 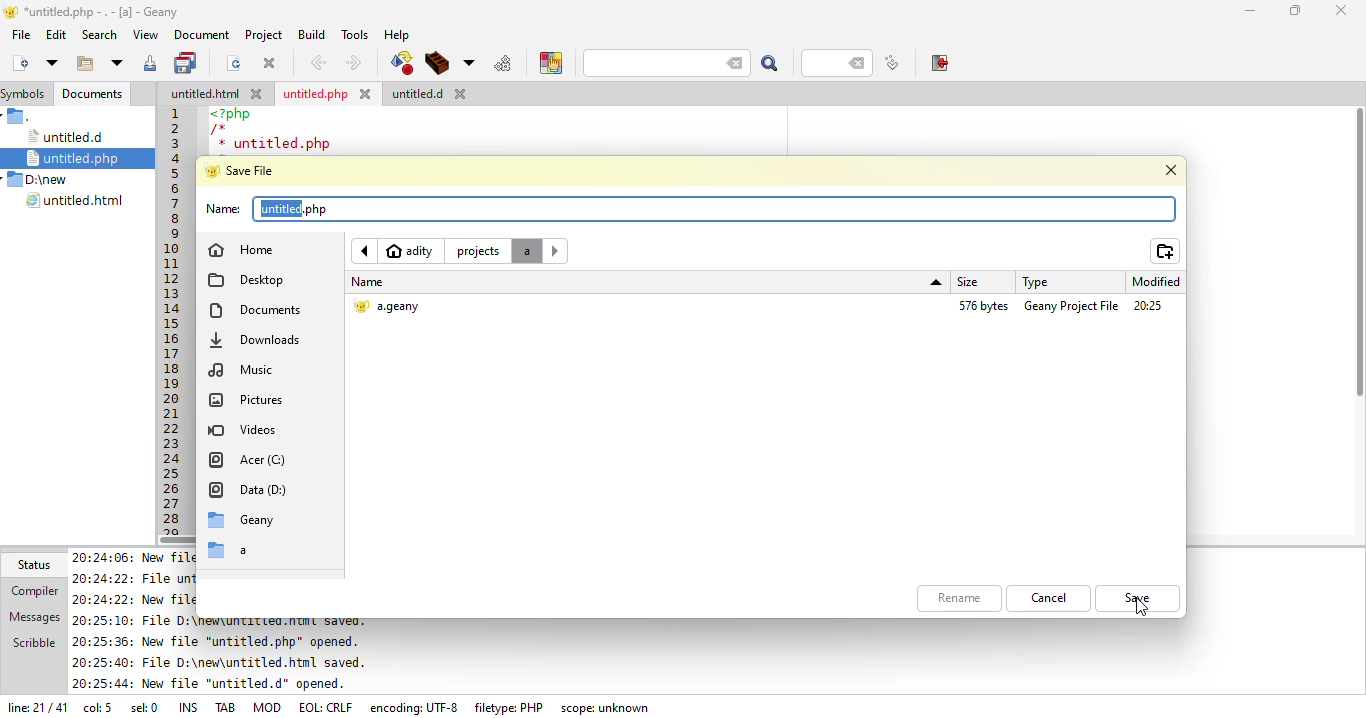 What do you see at coordinates (248, 492) in the screenshot?
I see `data` at bounding box center [248, 492].